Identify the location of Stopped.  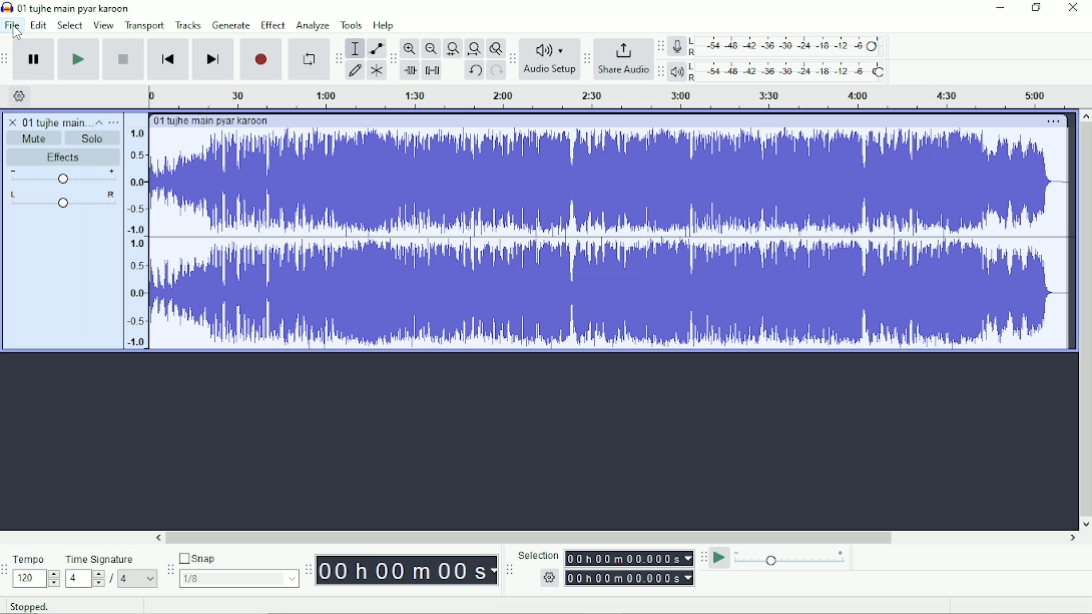
(35, 607).